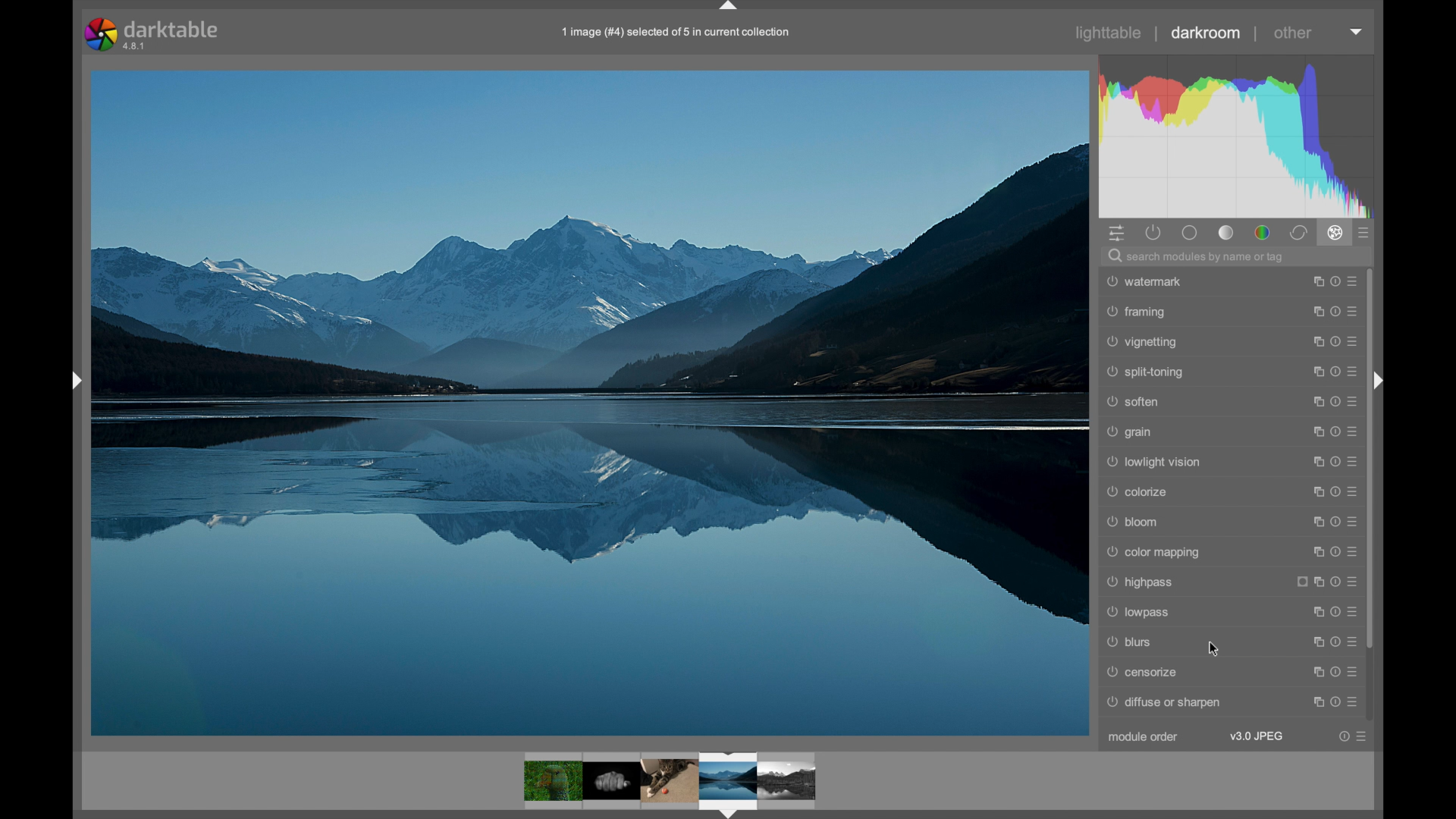  What do you see at coordinates (1316, 281) in the screenshot?
I see `maximize` at bounding box center [1316, 281].